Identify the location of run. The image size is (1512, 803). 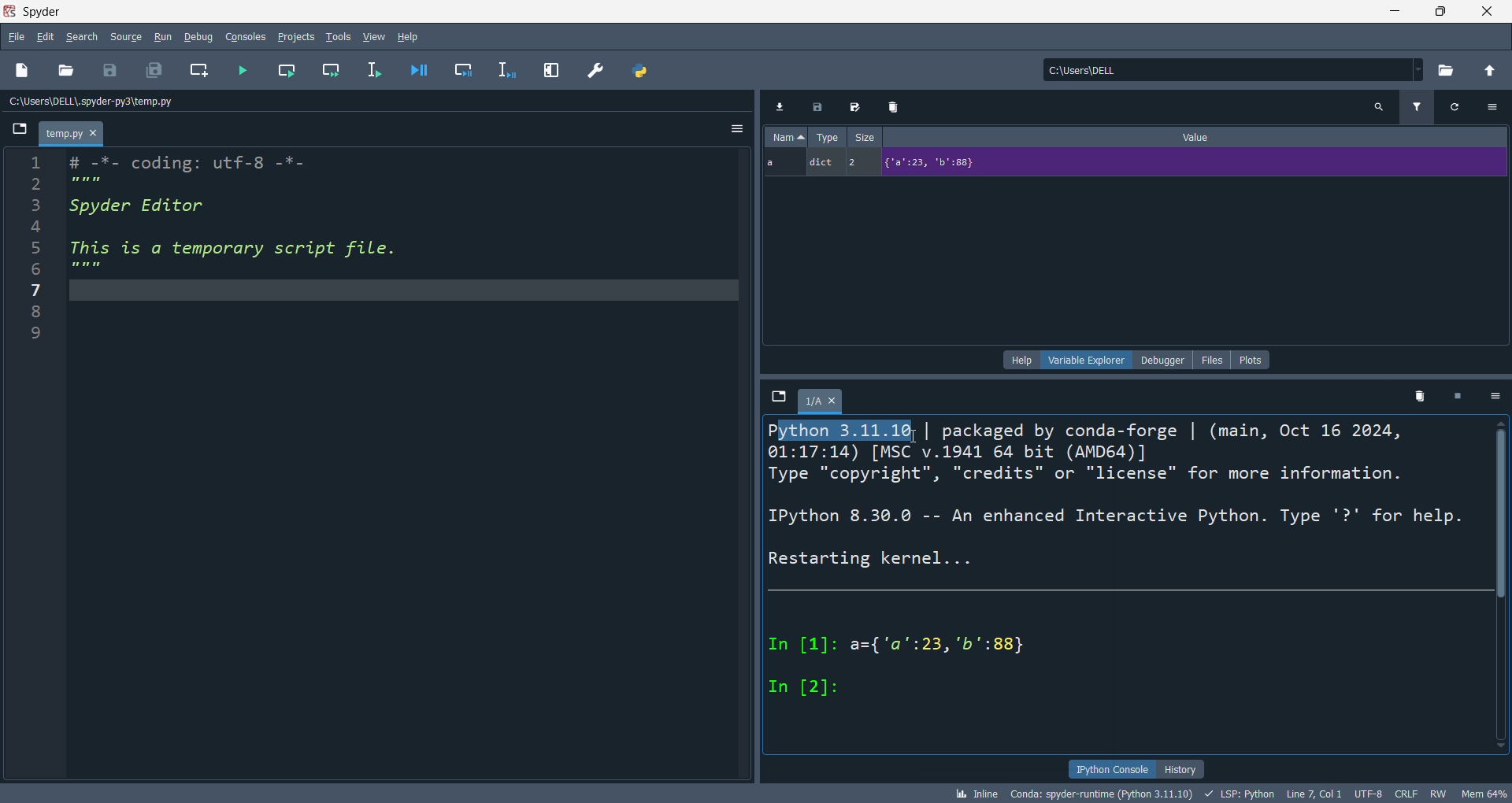
(168, 37).